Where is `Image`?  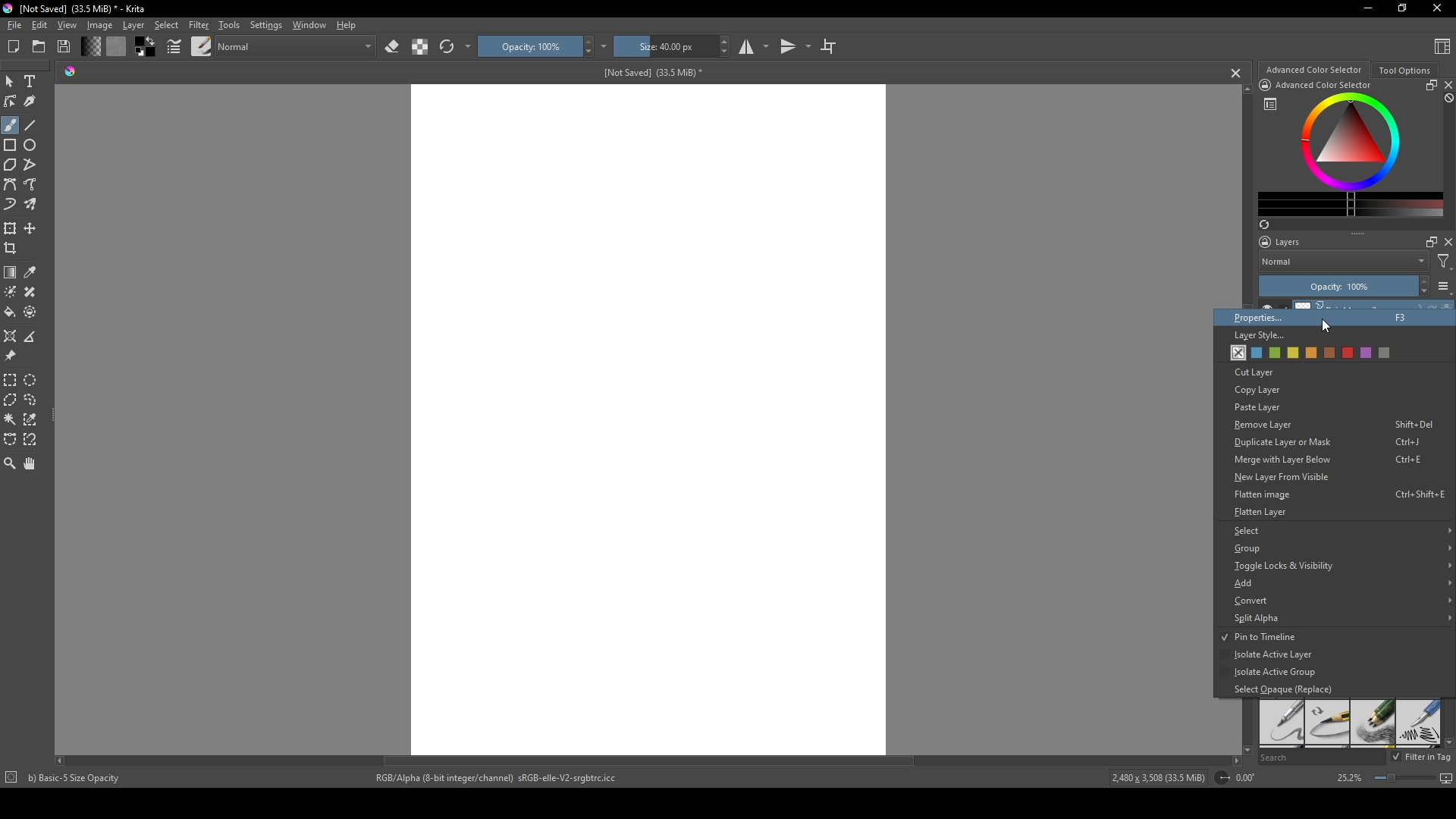 Image is located at coordinates (99, 25).